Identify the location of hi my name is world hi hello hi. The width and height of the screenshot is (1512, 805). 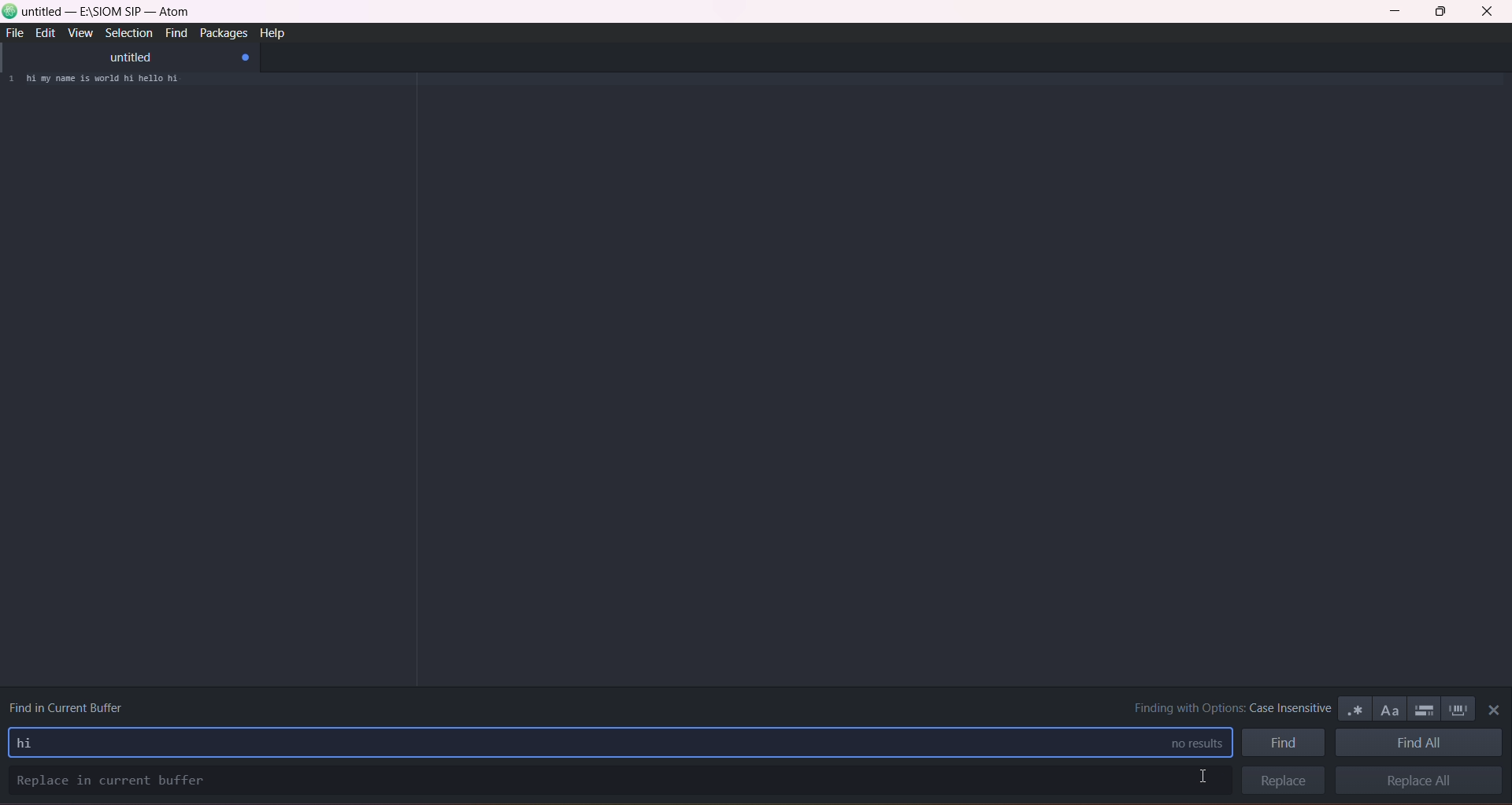
(114, 81).